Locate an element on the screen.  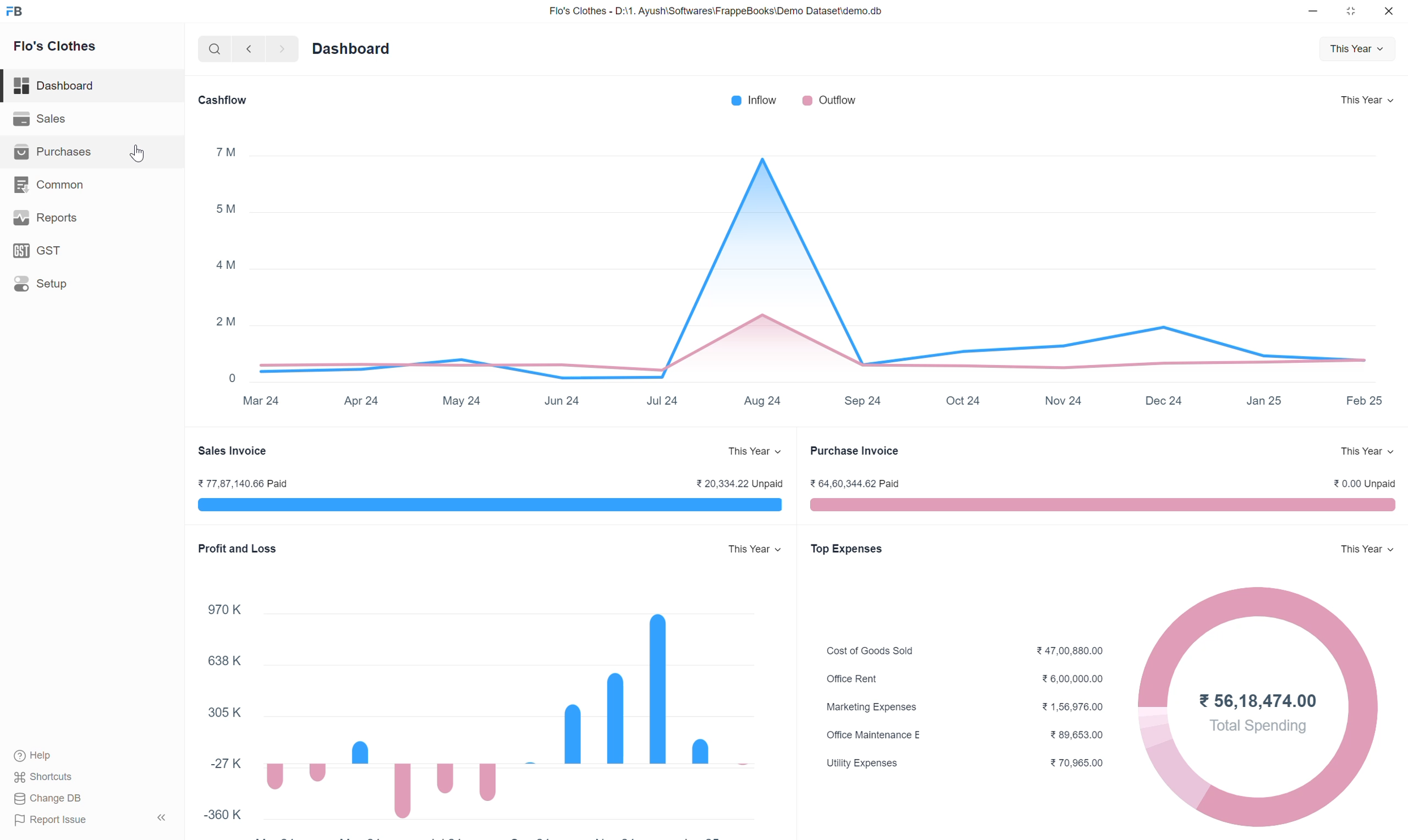
Outflow is located at coordinates (833, 100).